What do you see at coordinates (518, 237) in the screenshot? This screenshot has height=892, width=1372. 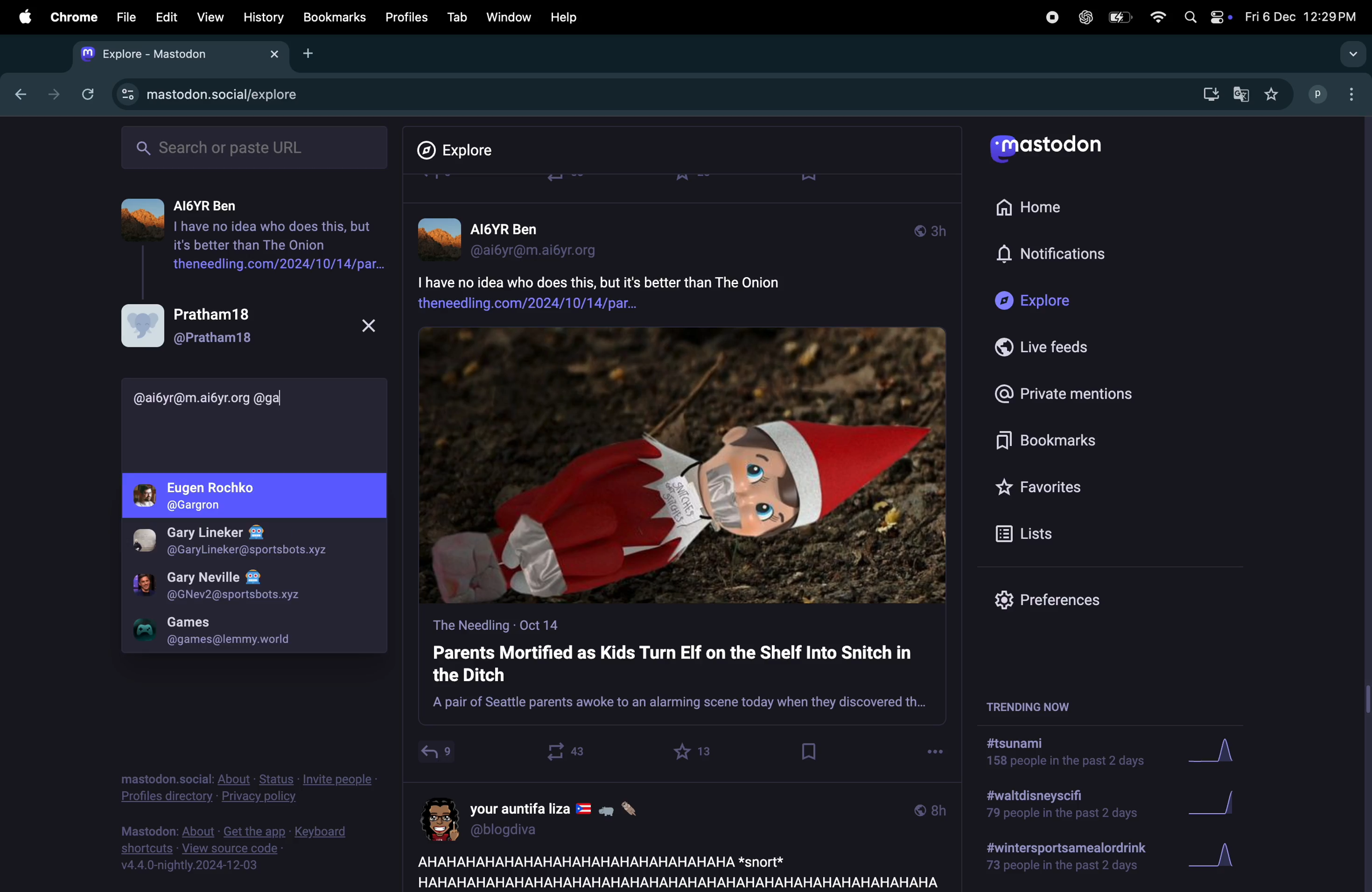 I see `user profile` at bounding box center [518, 237].